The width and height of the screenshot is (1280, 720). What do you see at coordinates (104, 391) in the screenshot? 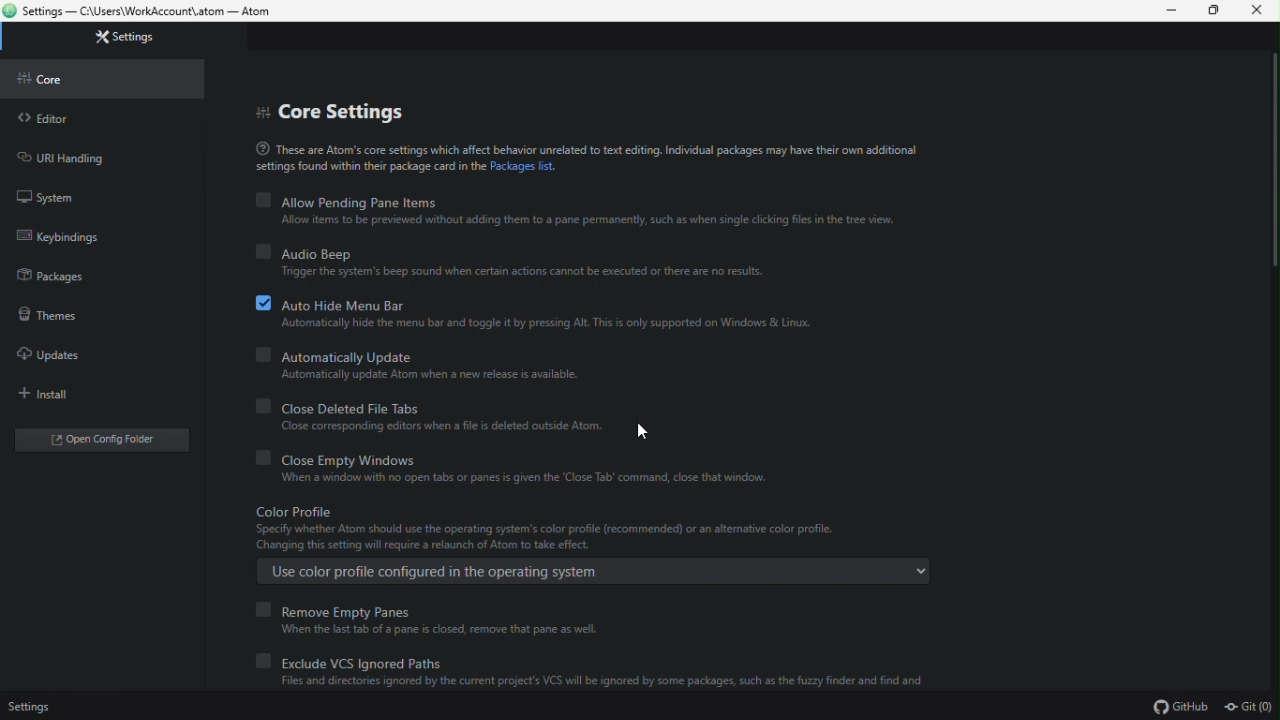
I see `install` at bounding box center [104, 391].